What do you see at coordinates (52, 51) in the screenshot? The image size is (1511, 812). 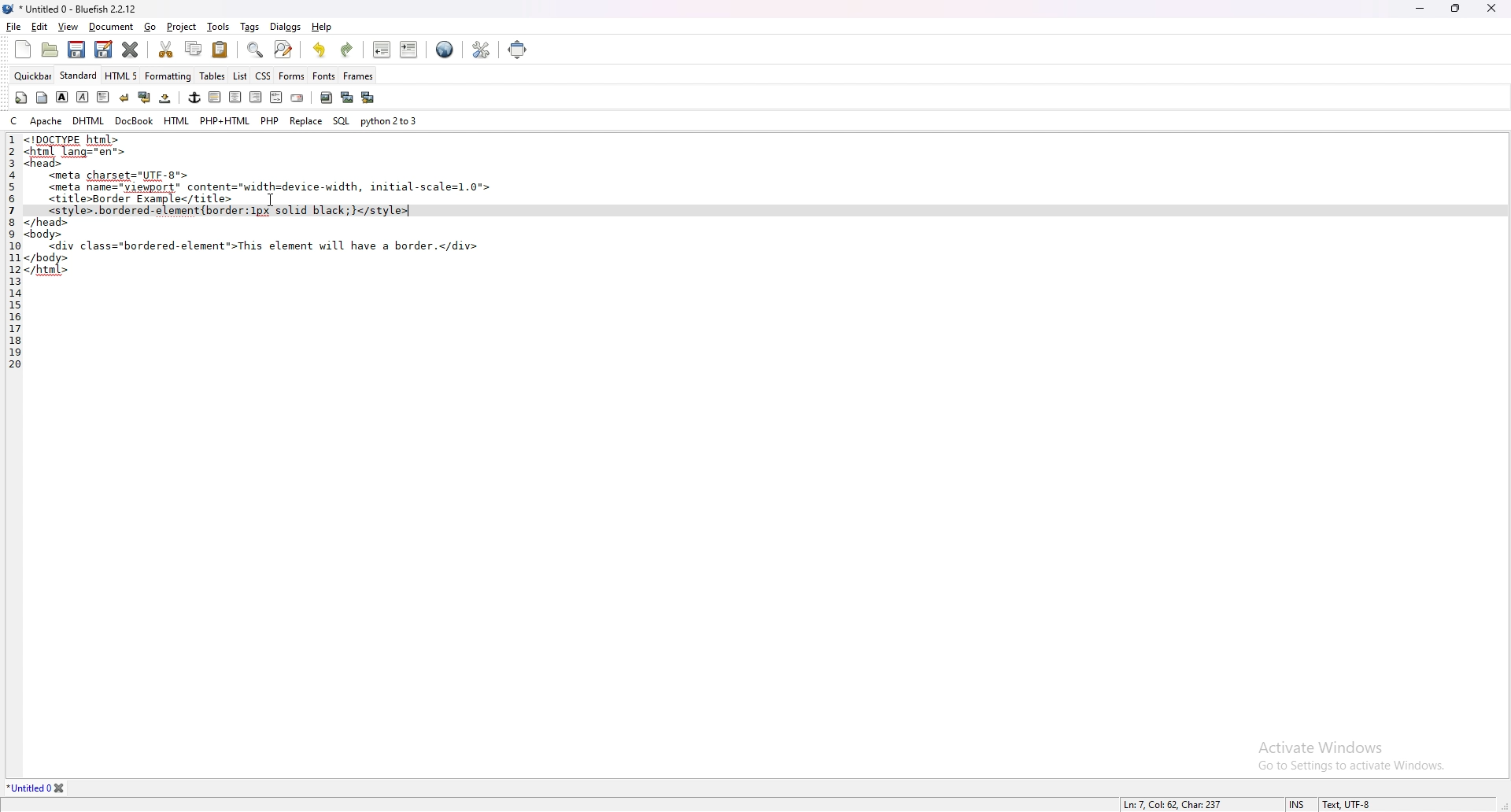 I see `open` at bounding box center [52, 51].